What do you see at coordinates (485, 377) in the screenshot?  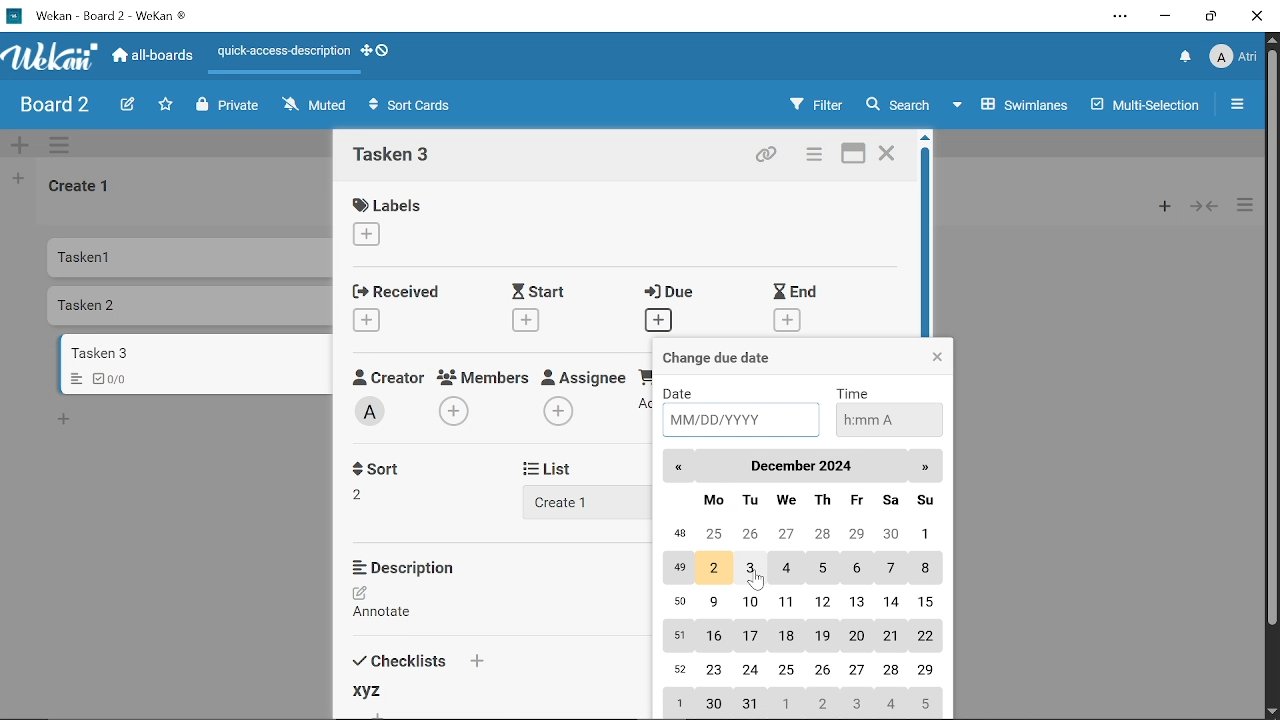 I see `Memebers` at bounding box center [485, 377].